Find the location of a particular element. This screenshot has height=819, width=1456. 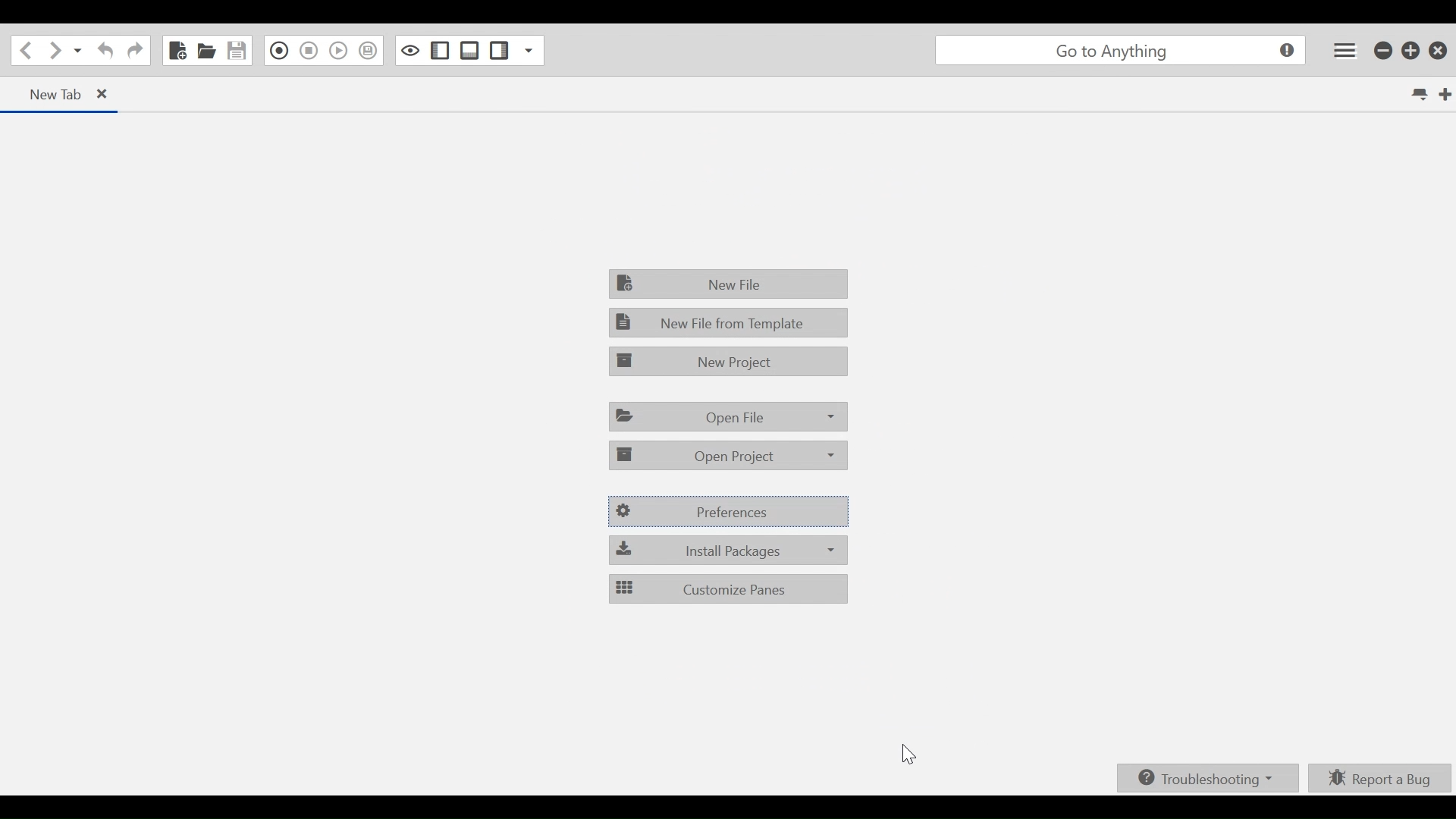

New Project  is located at coordinates (727, 360).